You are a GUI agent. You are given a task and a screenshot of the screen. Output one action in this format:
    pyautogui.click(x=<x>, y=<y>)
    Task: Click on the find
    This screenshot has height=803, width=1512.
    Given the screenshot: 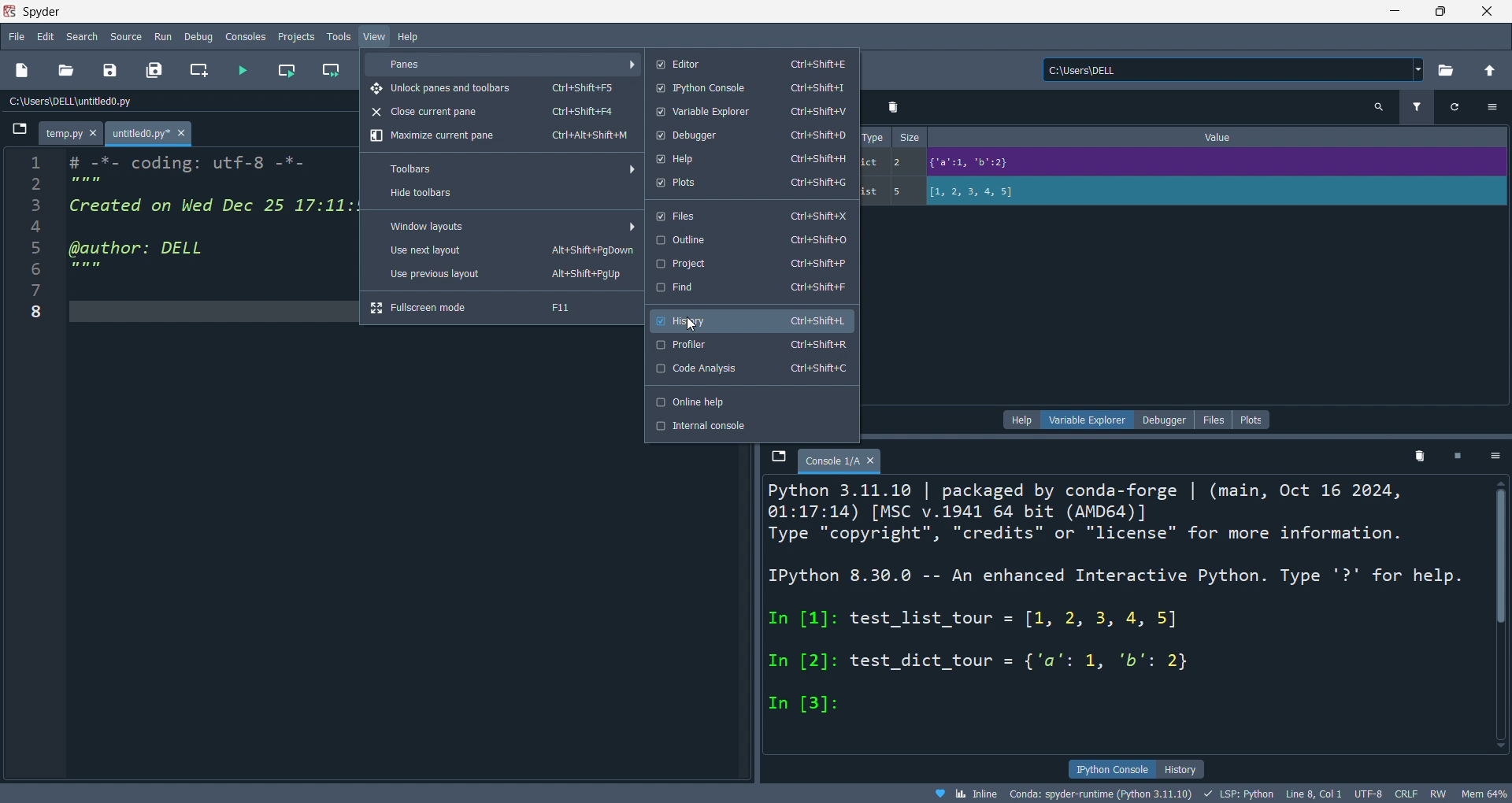 What is the action you would take?
    pyautogui.click(x=750, y=288)
    